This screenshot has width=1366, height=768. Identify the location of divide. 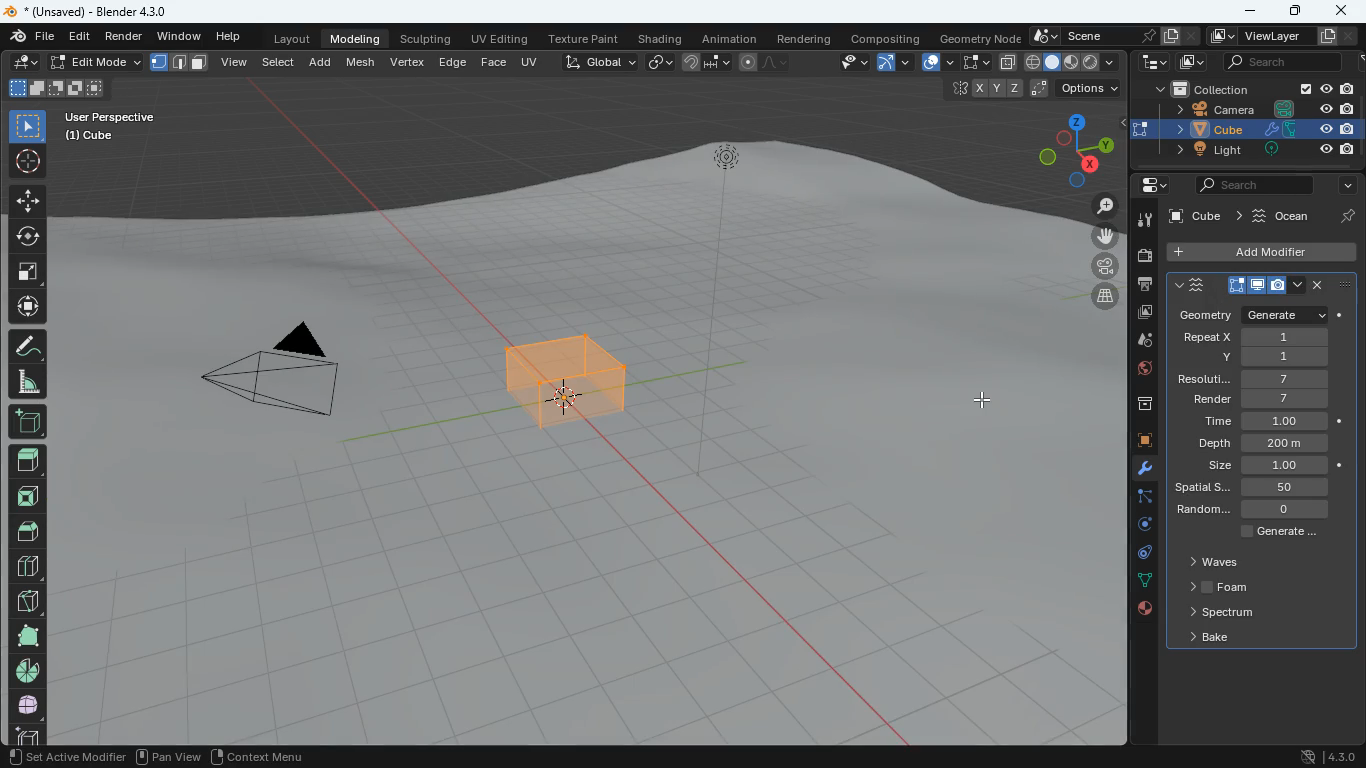
(29, 565).